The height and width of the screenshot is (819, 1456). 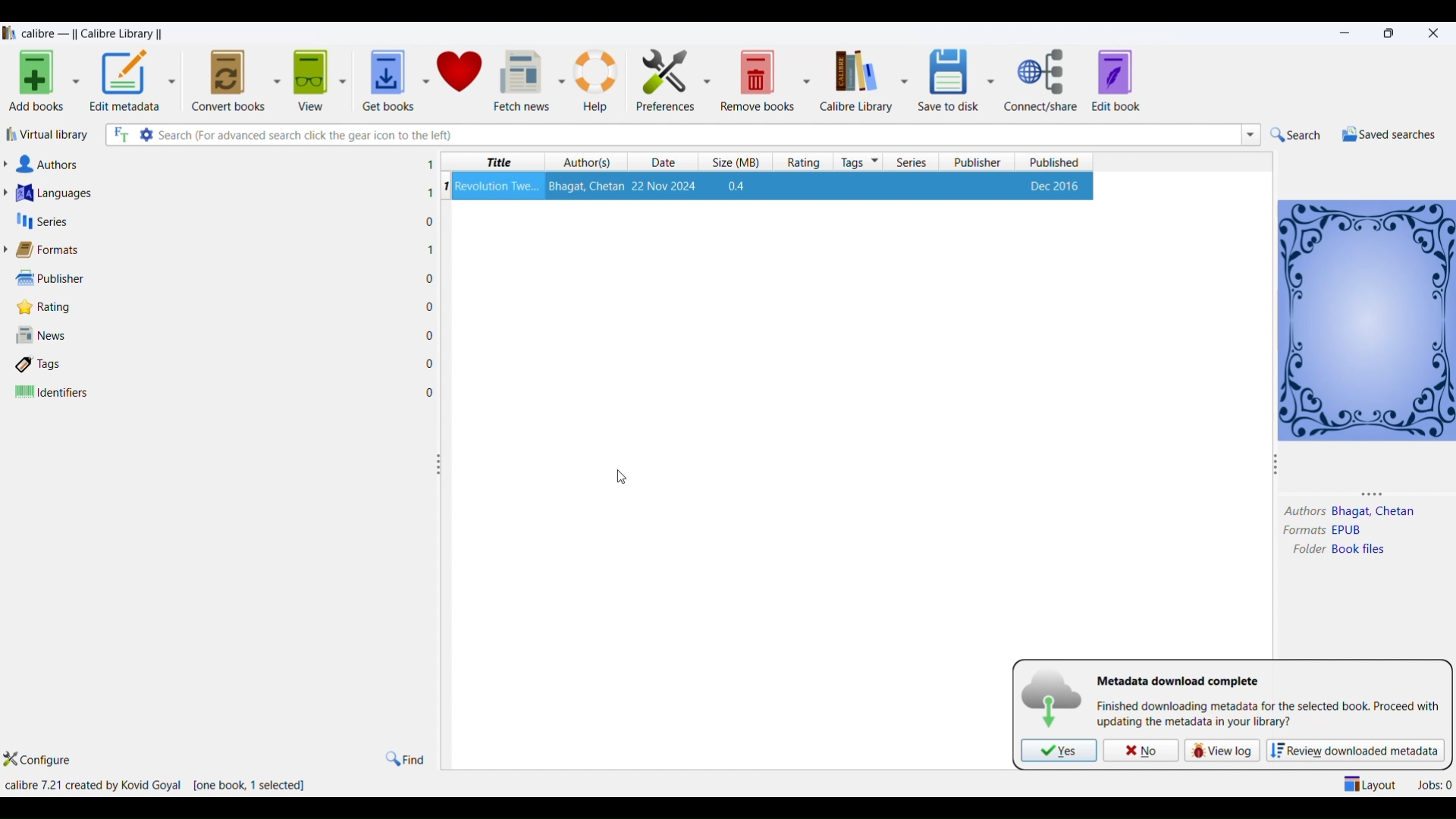 I want to click on calibre library, so click(x=854, y=80).